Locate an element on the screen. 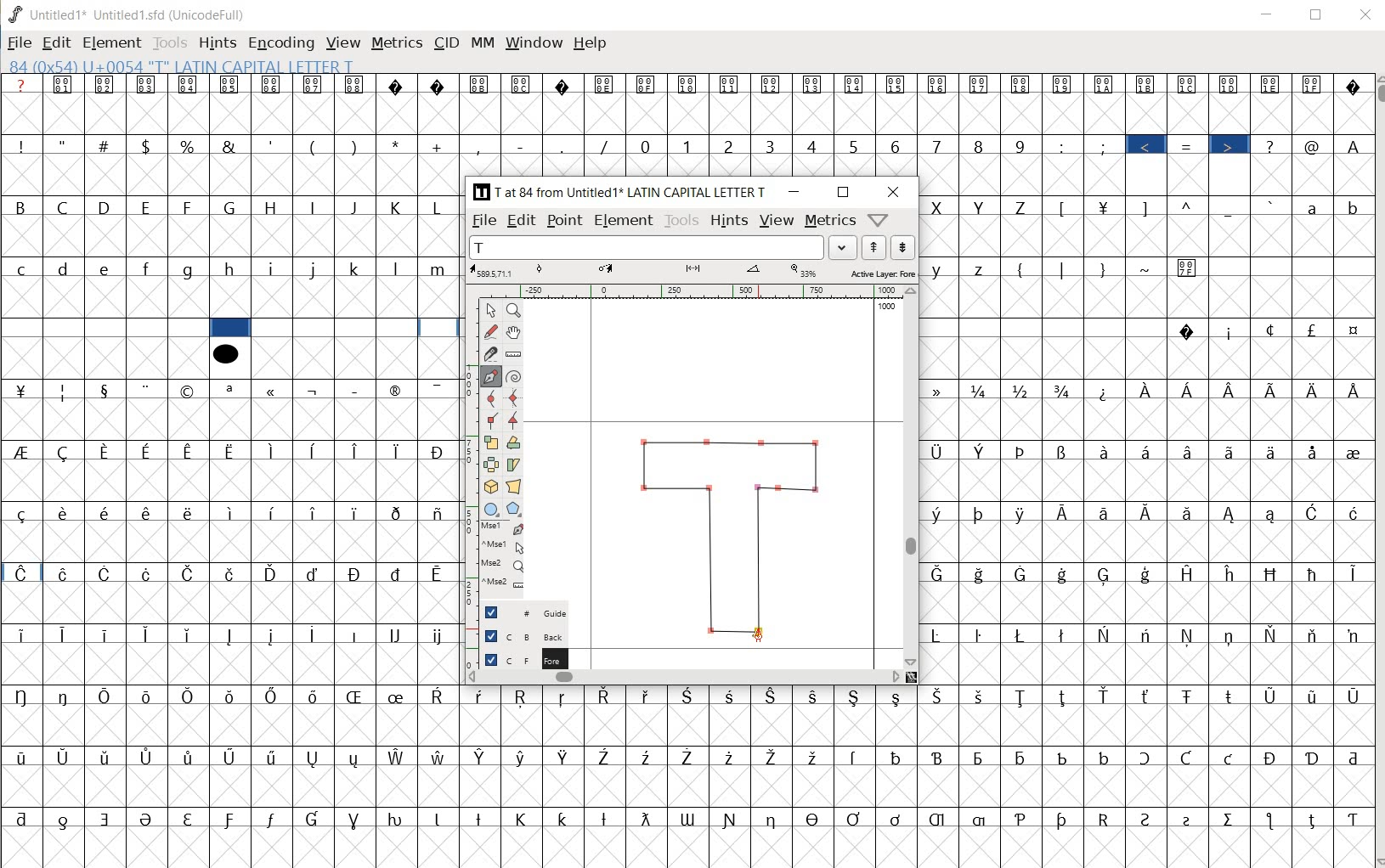 The height and width of the screenshot is (868, 1385). empty spaces is located at coordinates (355, 328).